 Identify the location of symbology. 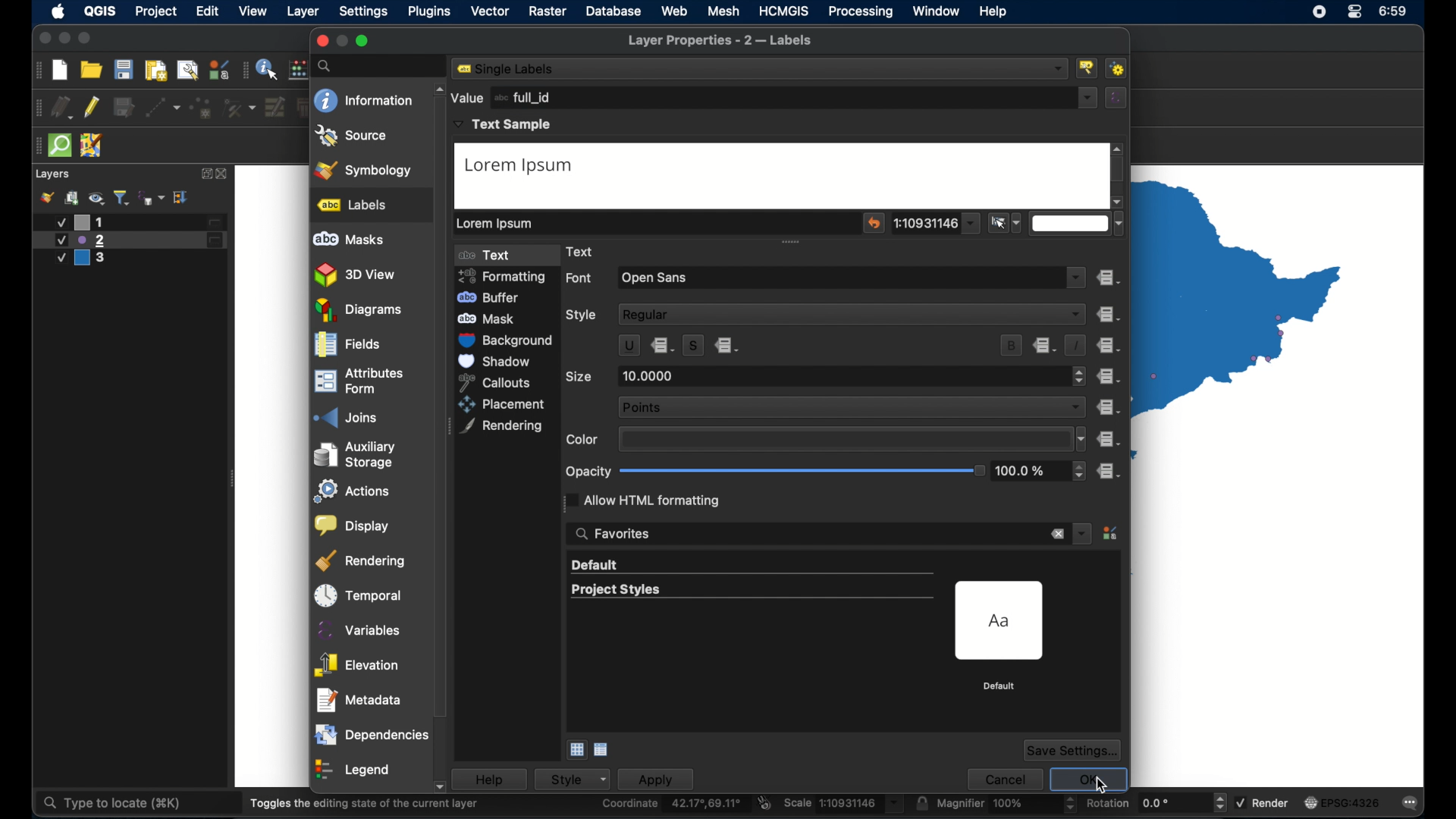
(365, 169).